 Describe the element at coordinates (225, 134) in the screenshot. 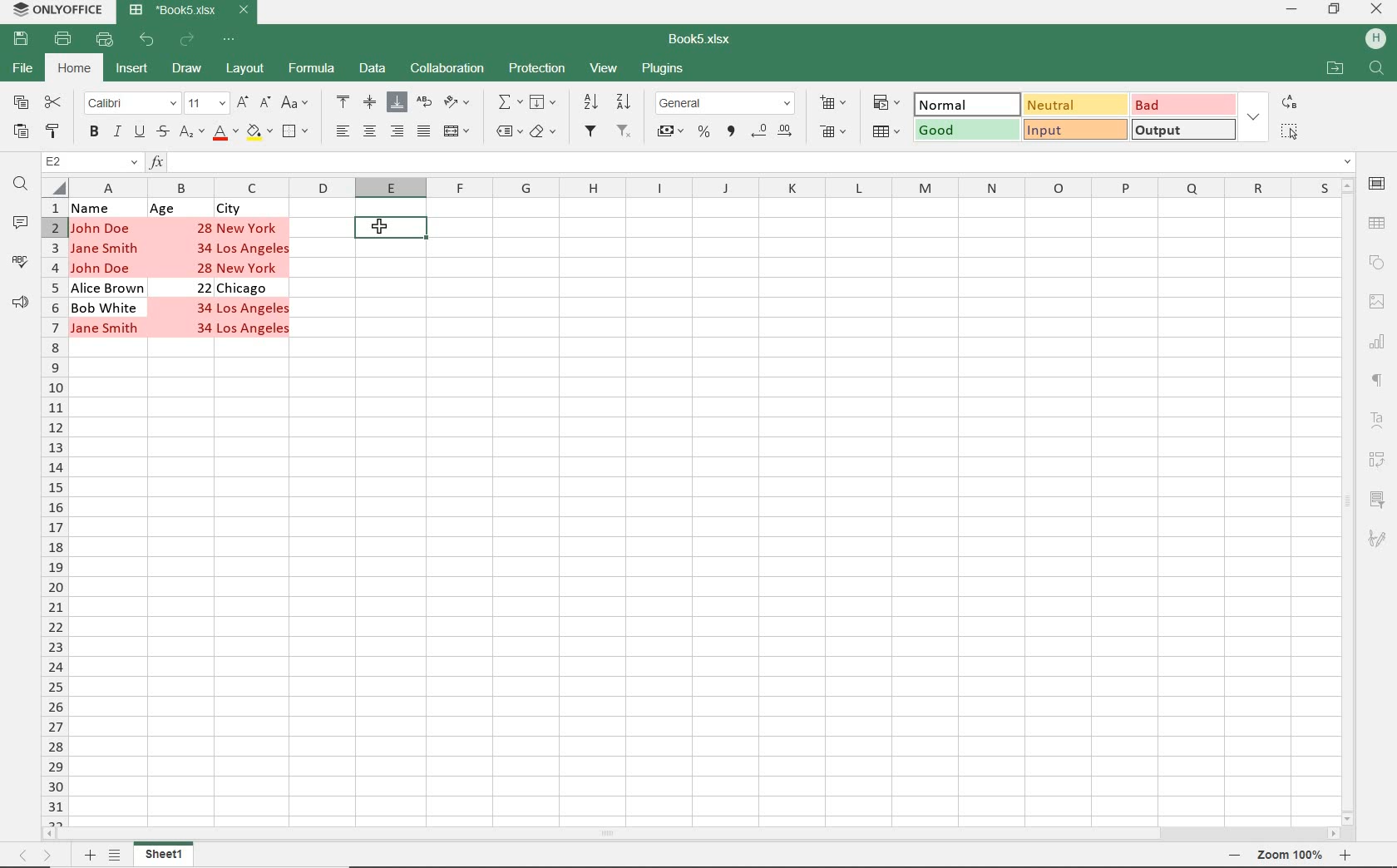

I see `FONT COLOR` at that location.